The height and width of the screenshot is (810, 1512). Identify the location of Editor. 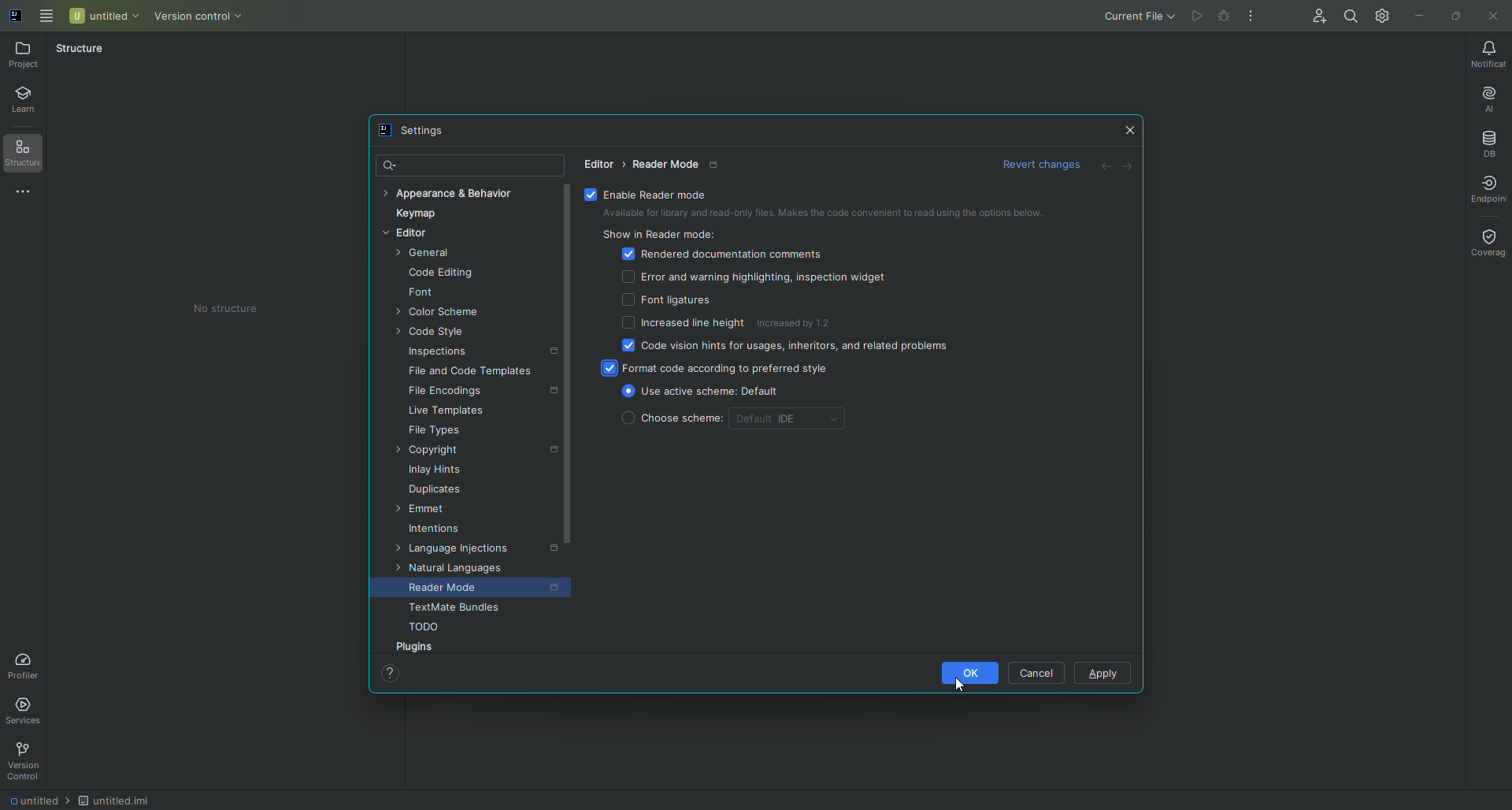
(402, 236).